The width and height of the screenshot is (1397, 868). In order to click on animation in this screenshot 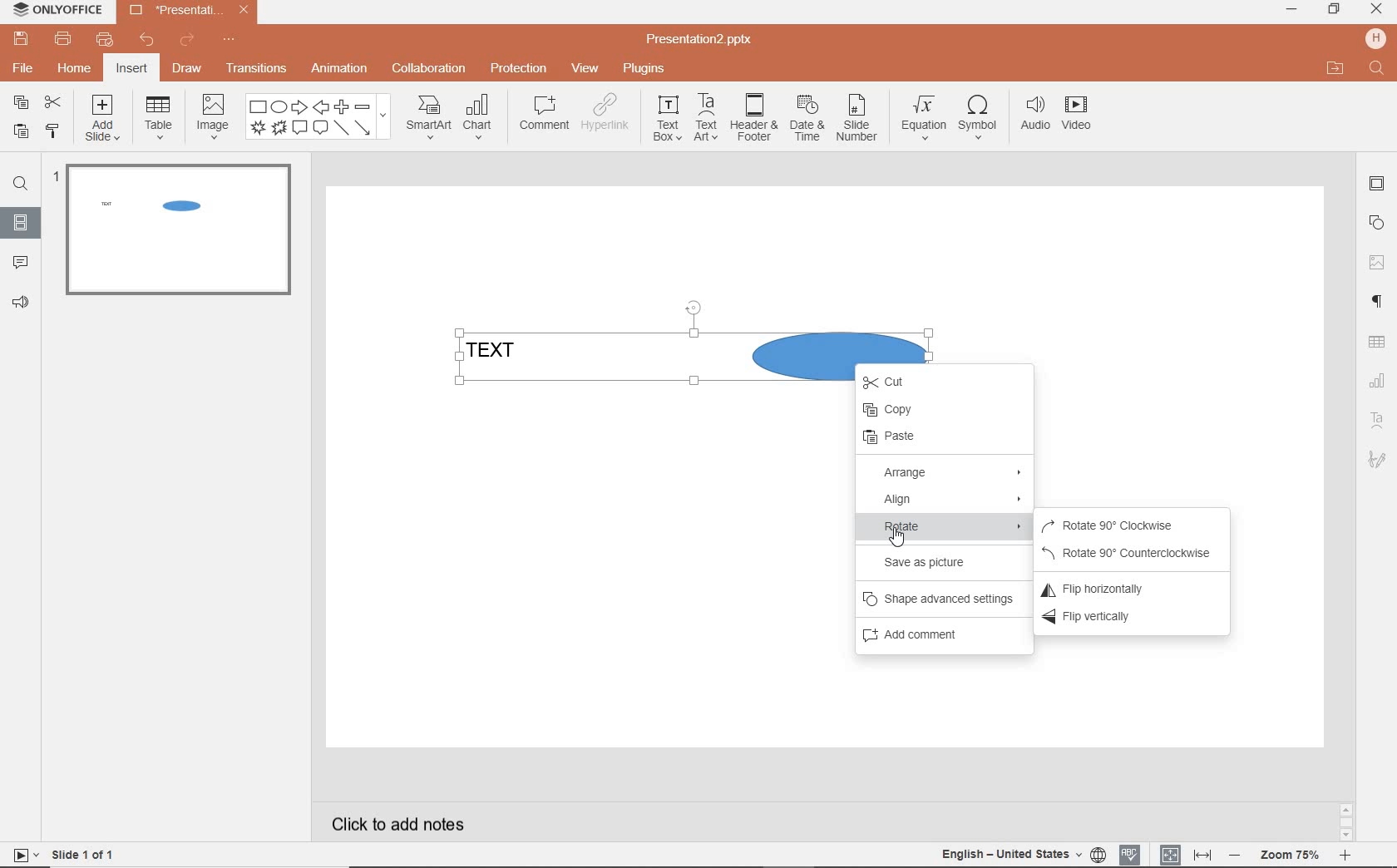, I will do `click(338, 70)`.